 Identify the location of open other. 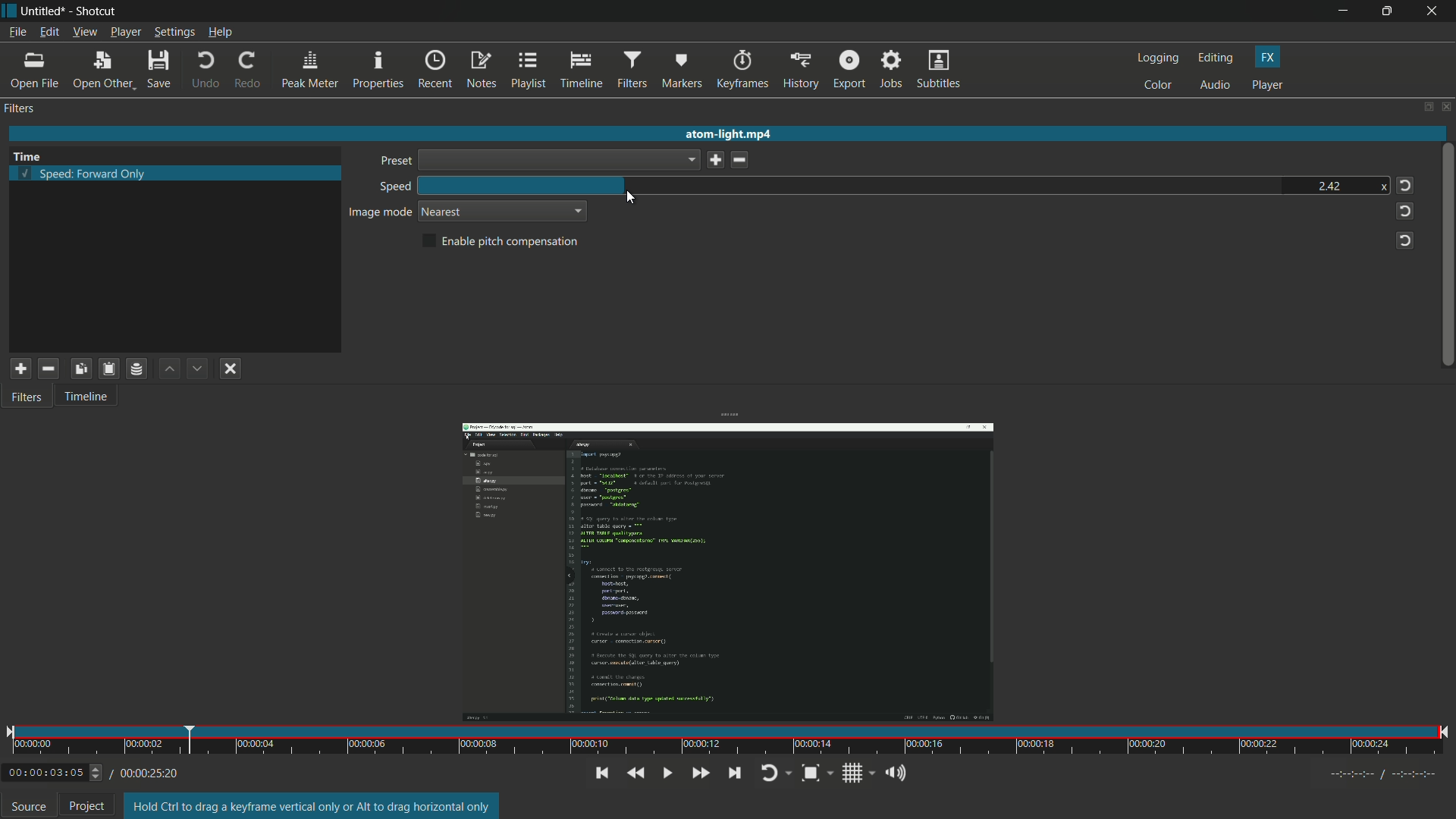
(102, 71).